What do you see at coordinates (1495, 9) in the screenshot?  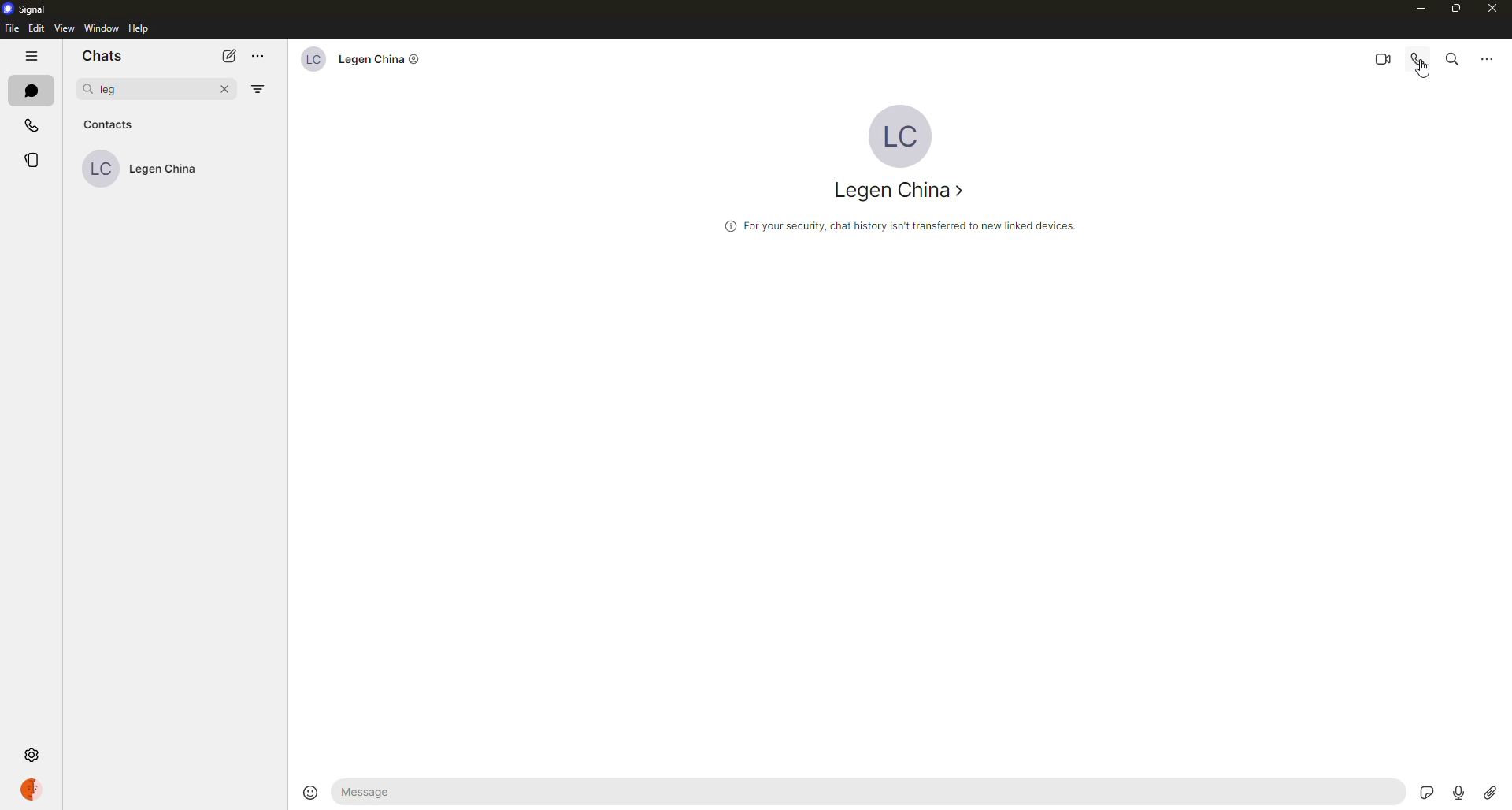 I see `close` at bounding box center [1495, 9].